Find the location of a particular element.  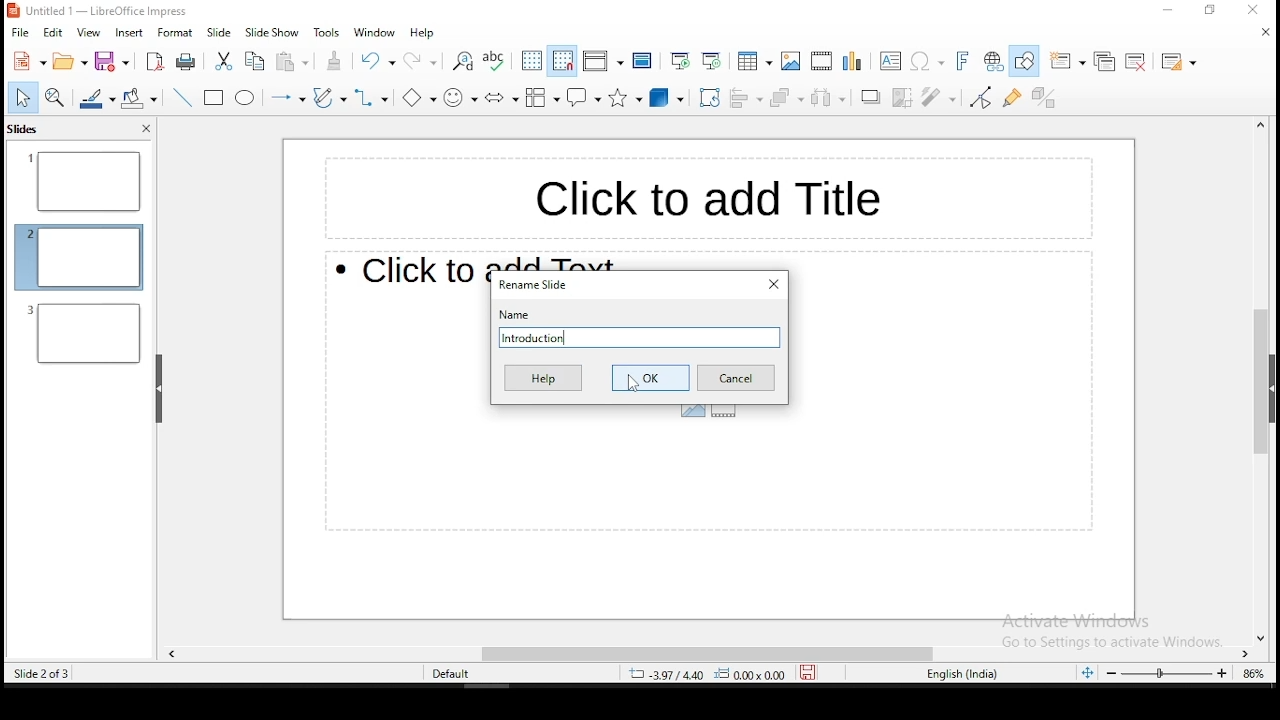

insert video is located at coordinates (821, 59).